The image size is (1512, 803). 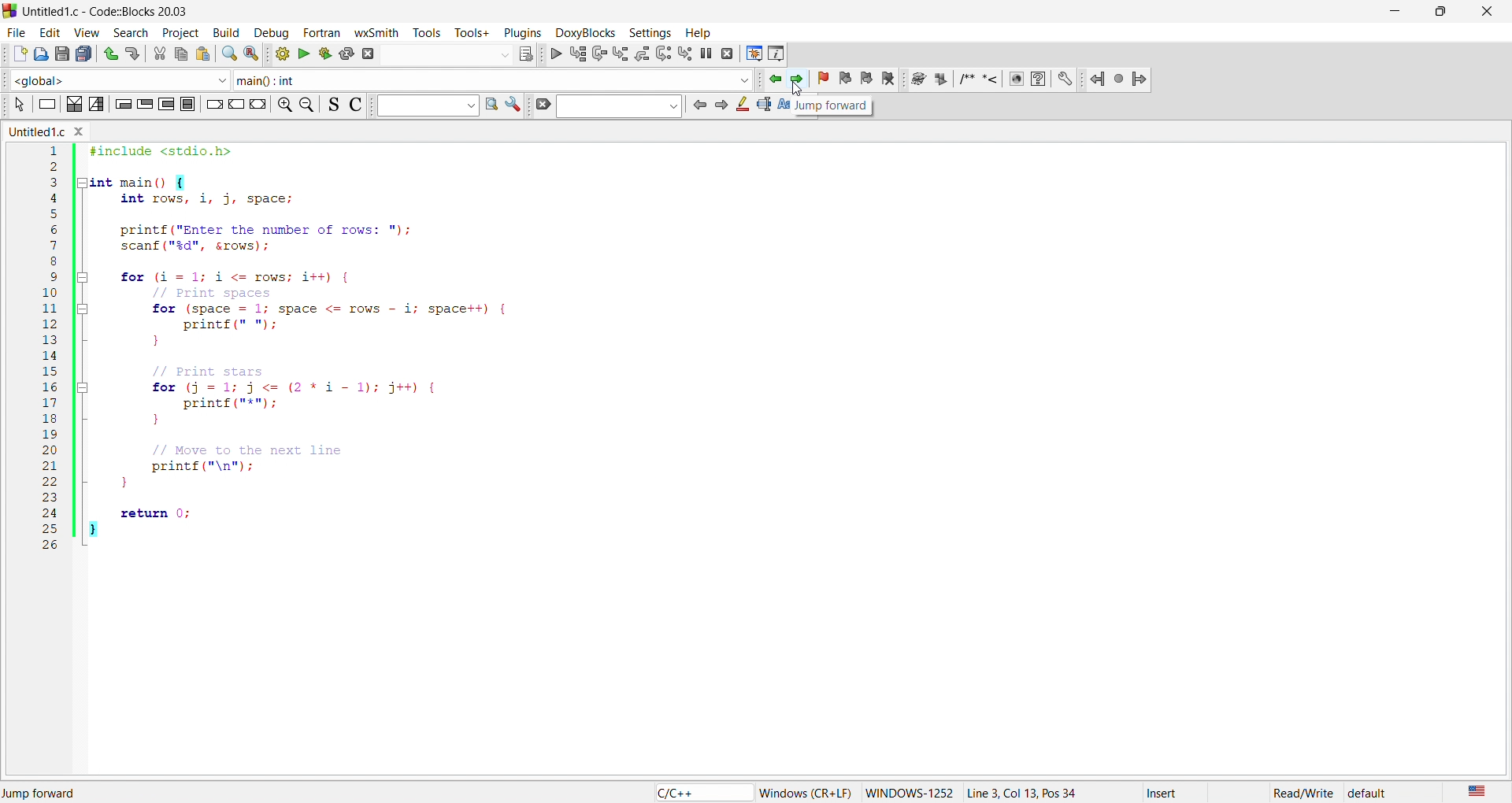 What do you see at coordinates (647, 31) in the screenshot?
I see `settings` at bounding box center [647, 31].